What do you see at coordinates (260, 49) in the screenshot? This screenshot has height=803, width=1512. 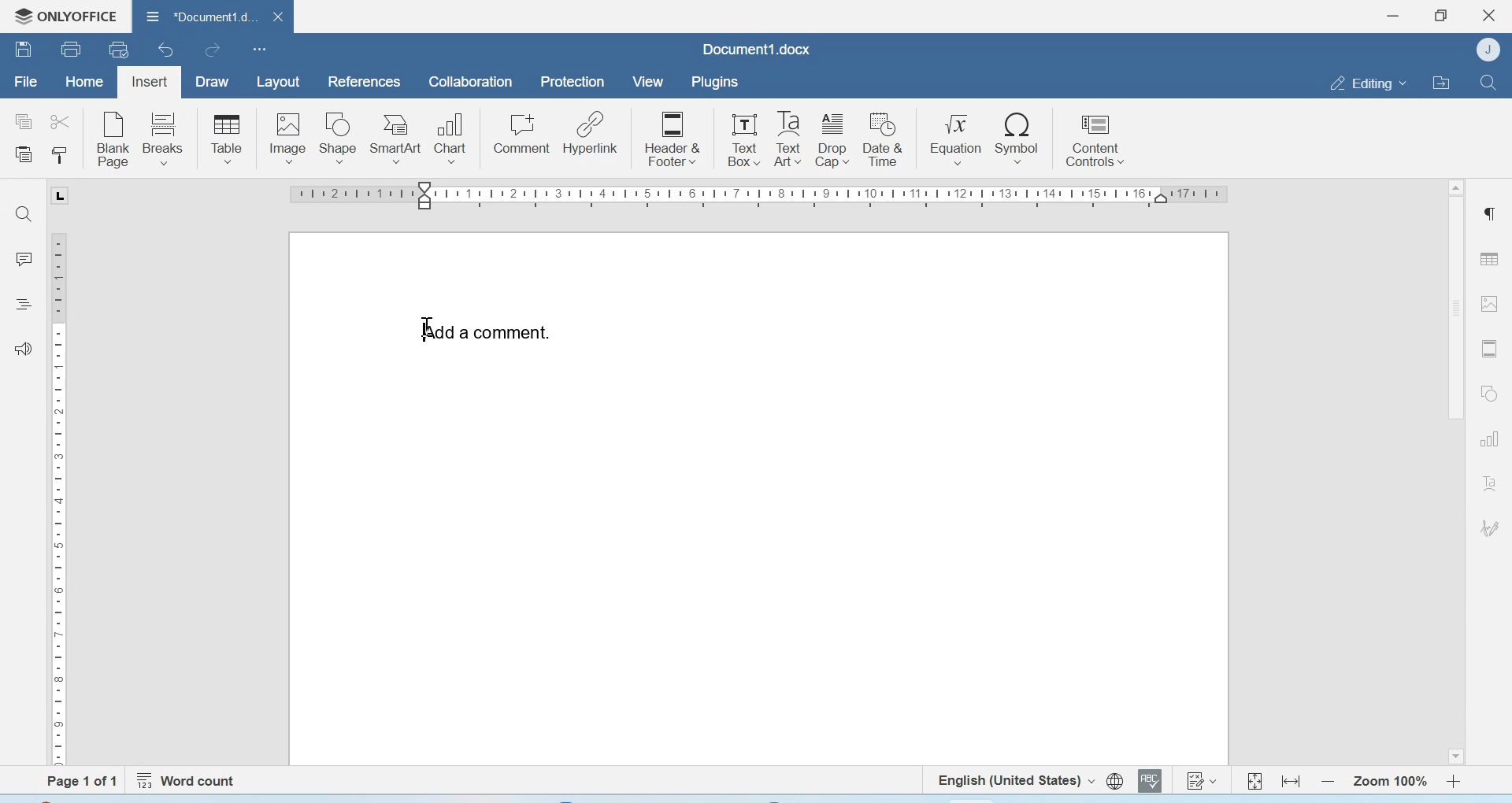 I see `customize quick access toolbar` at bounding box center [260, 49].